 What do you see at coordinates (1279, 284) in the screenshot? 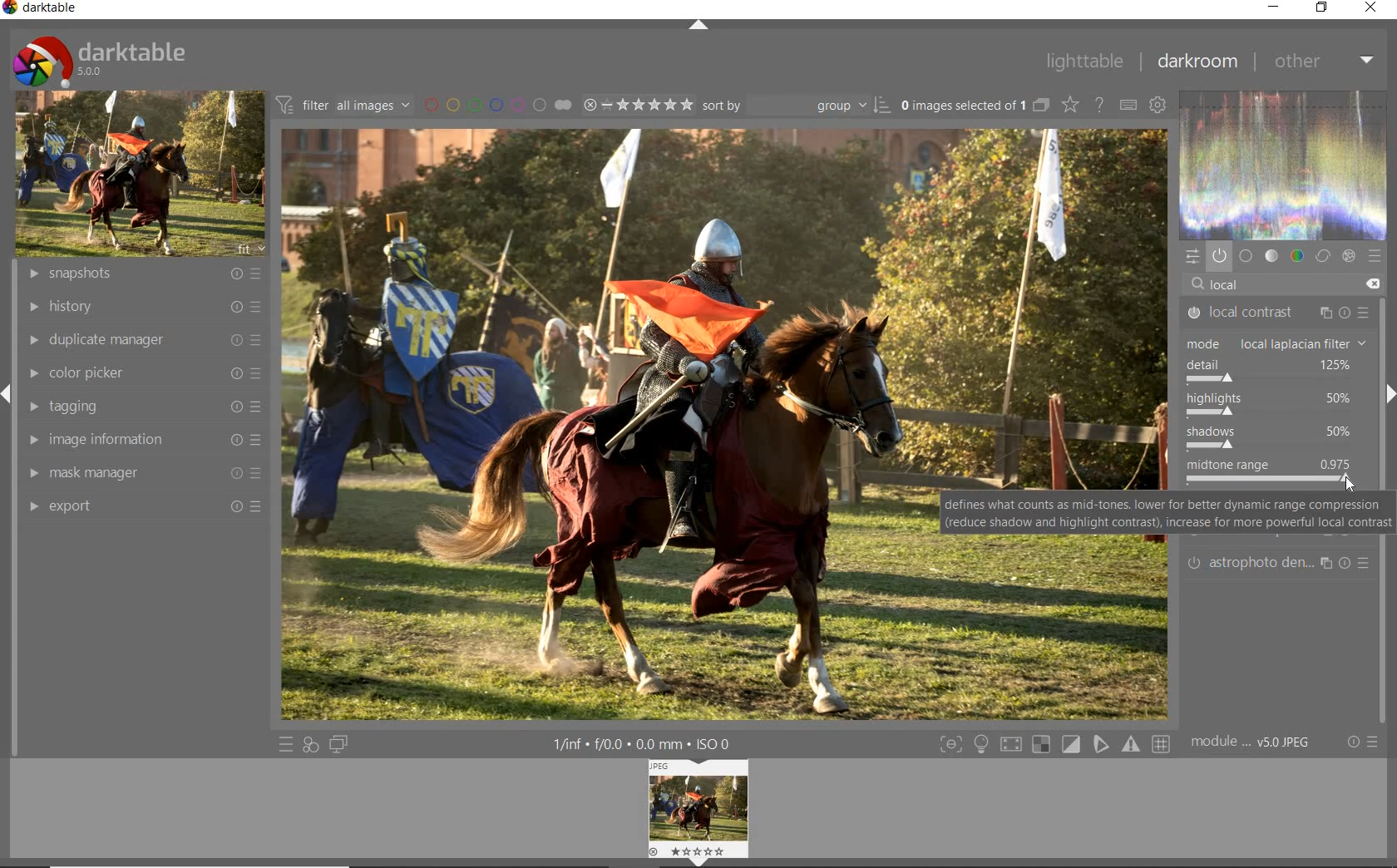
I see `search modules` at bounding box center [1279, 284].